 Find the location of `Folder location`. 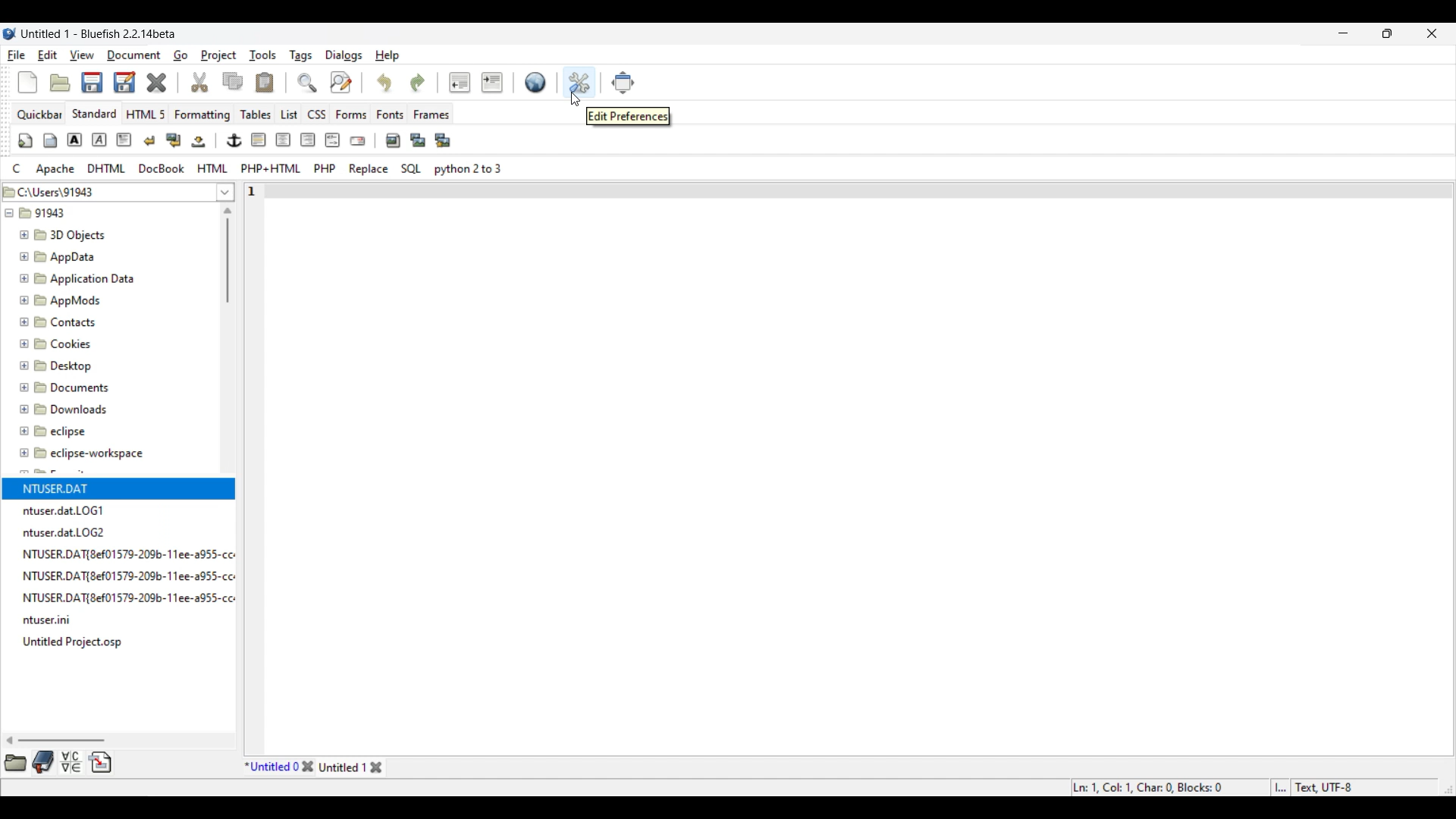

Folder location is located at coordinates (107, 189).